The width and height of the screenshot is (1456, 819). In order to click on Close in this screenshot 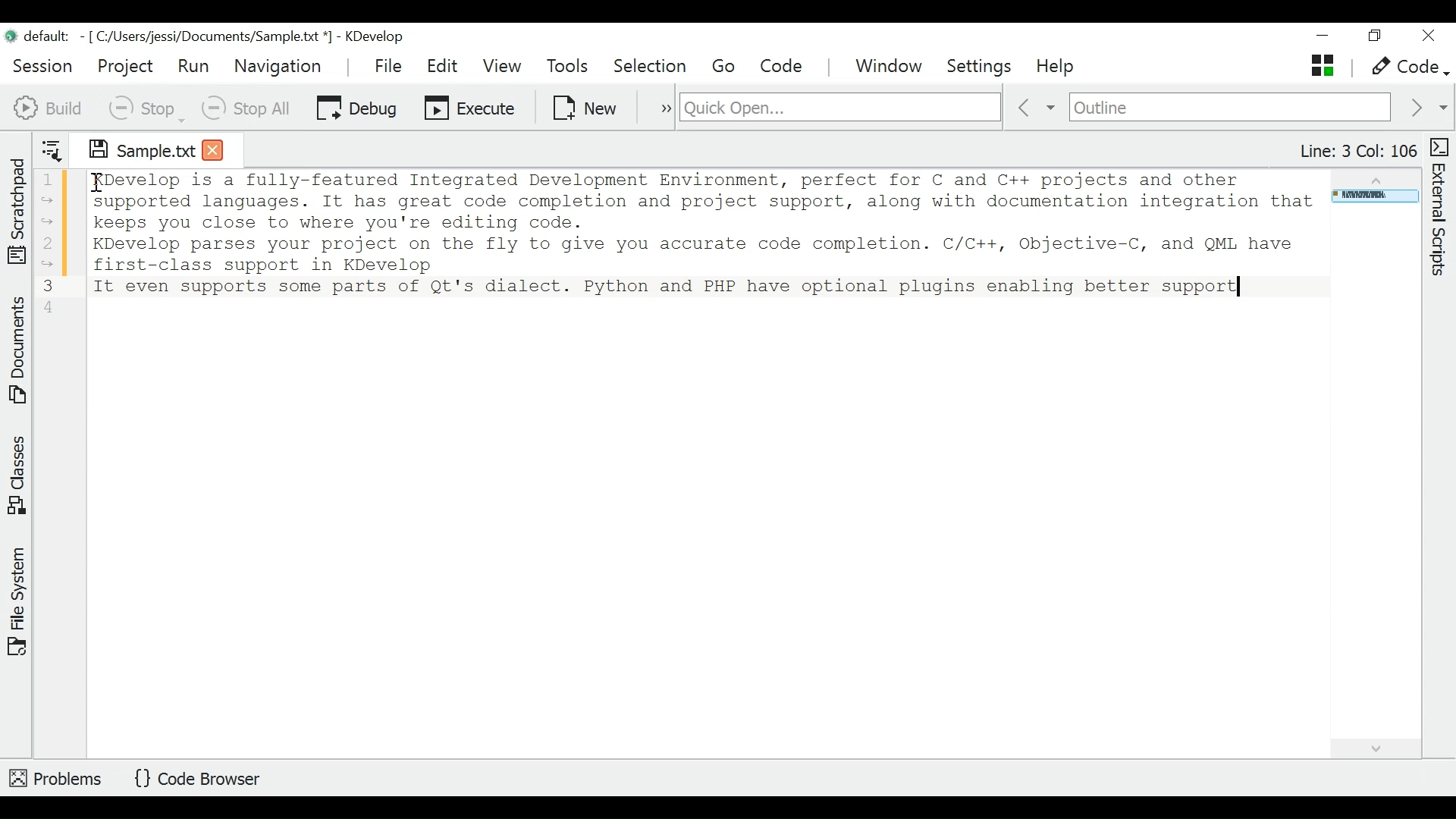, I will do `click(1427, 36)`.